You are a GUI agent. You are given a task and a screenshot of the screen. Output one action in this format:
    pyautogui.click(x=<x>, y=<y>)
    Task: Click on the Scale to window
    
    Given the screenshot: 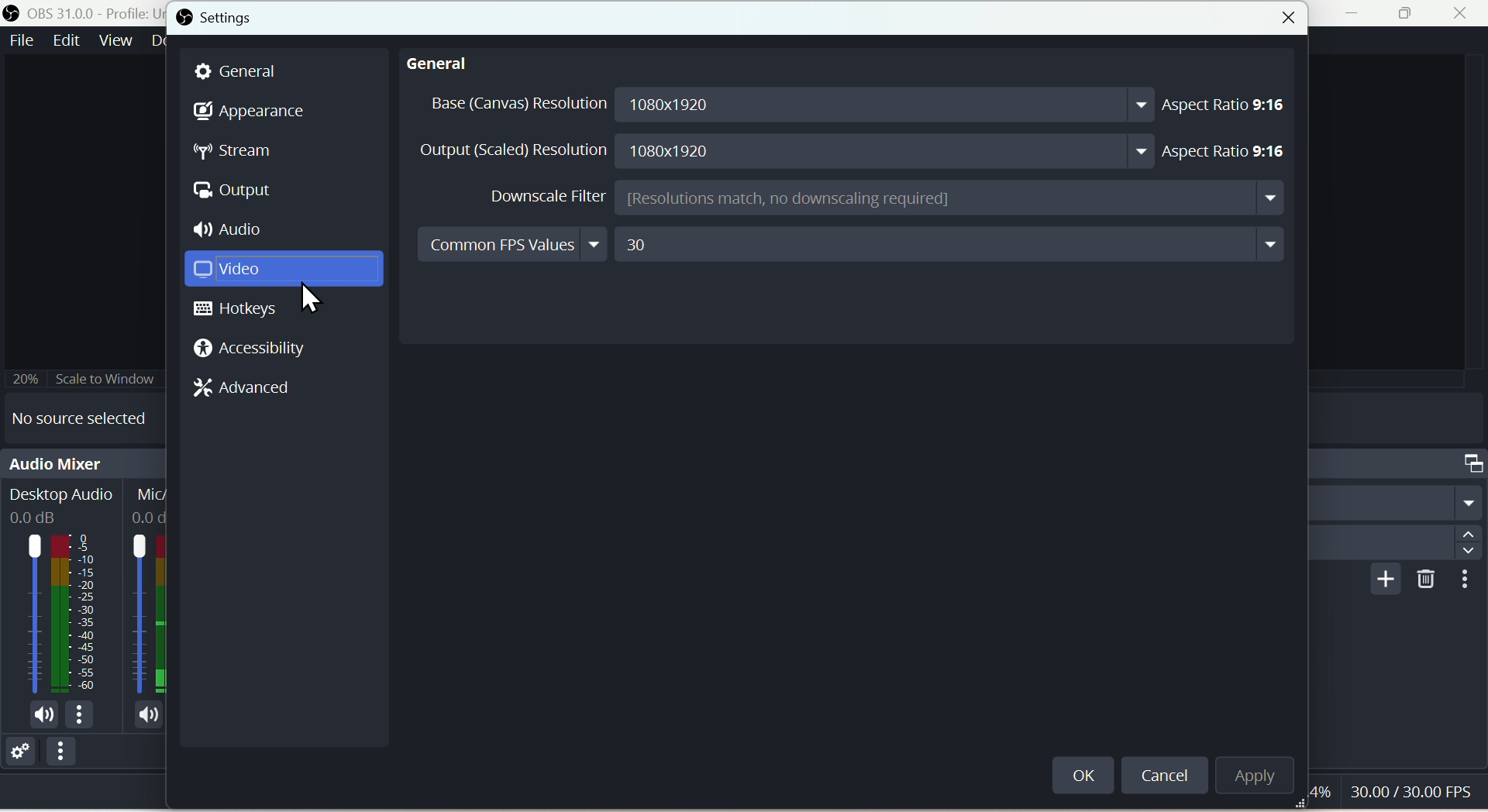 What is the action you would take?
    pyautogui.click(x=88, y=377)
    